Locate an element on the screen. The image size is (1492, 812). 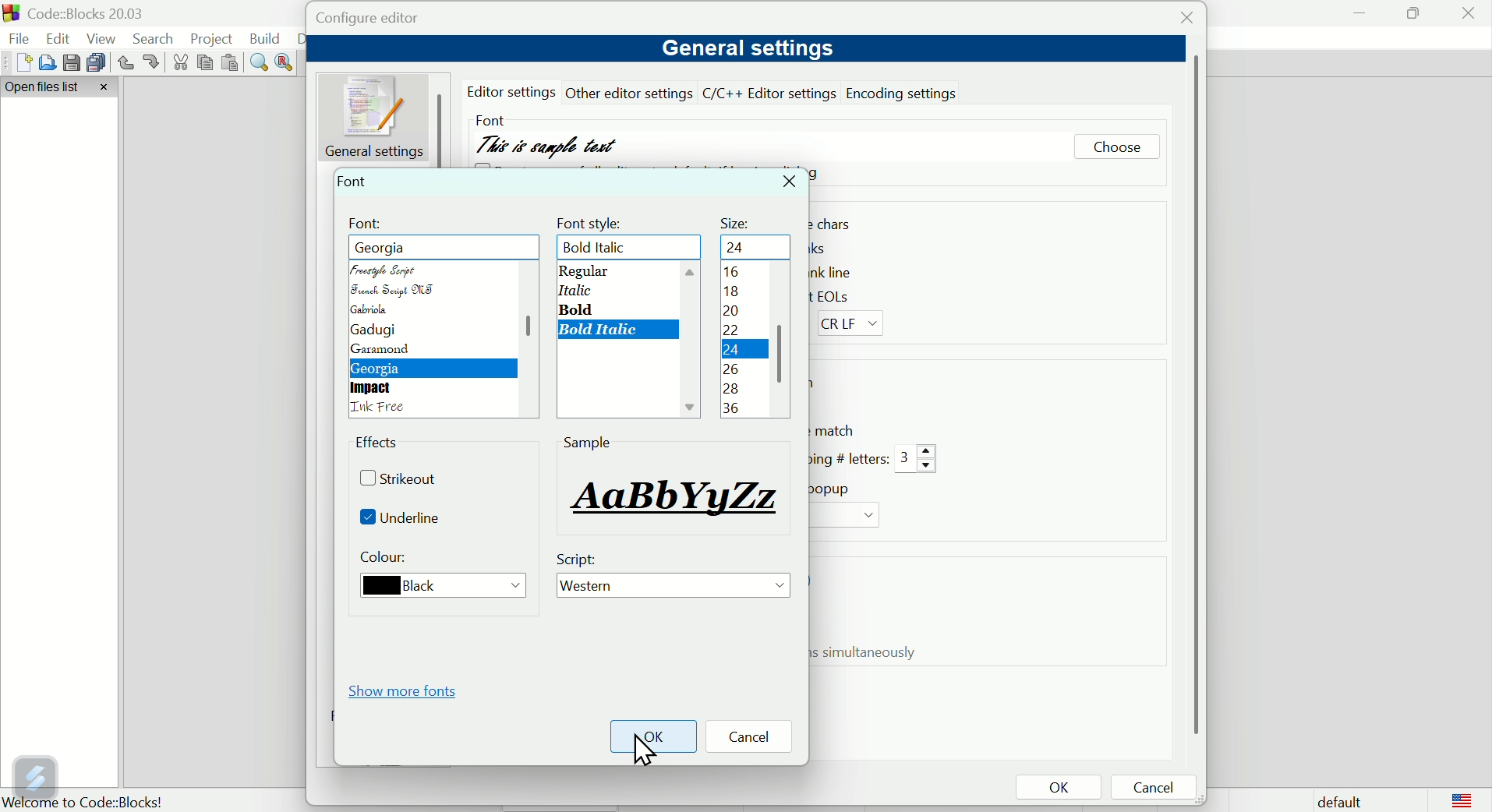
Effects is located at coordinates (380, 445).